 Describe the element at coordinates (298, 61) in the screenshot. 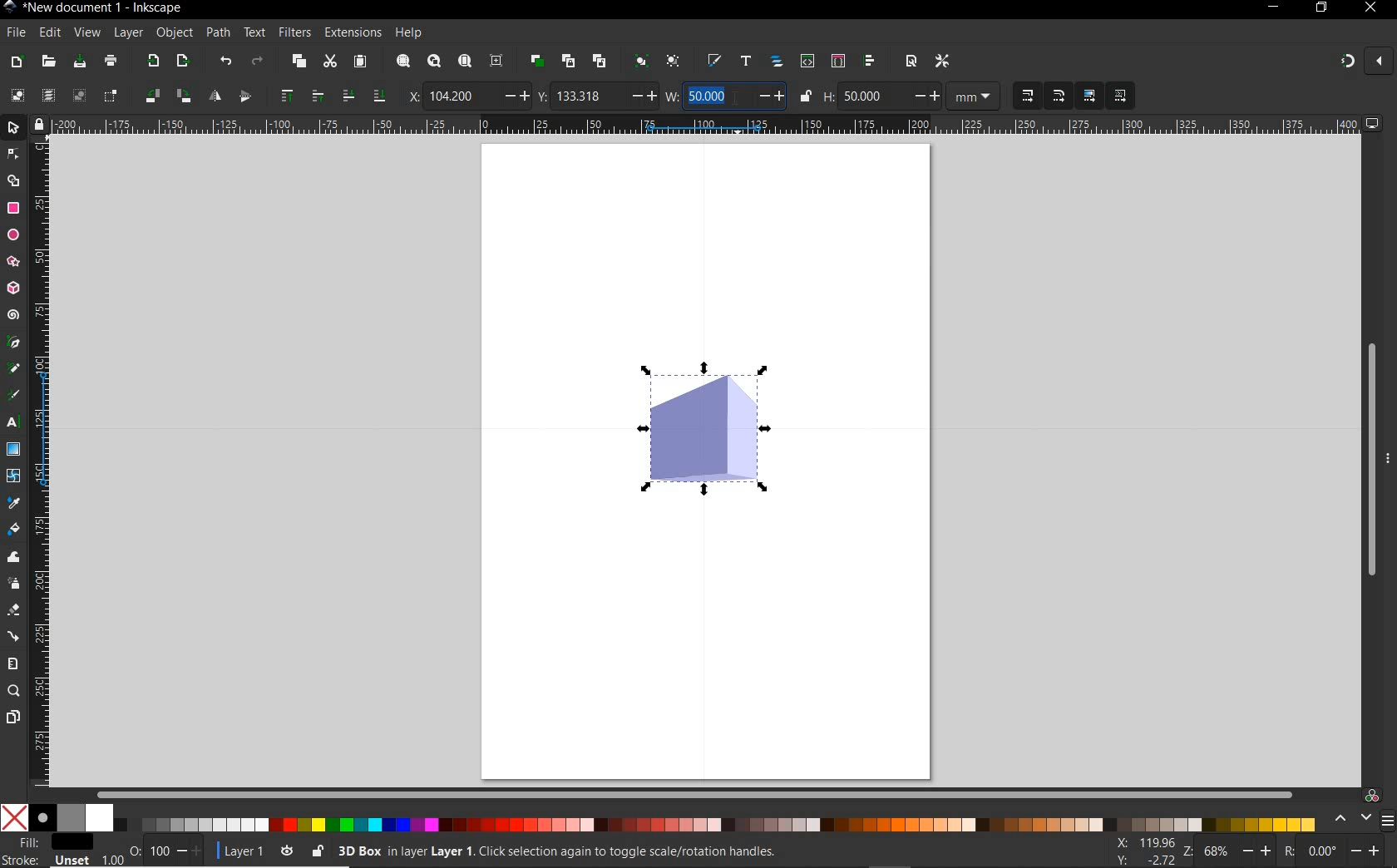

I see `copy` at that location.